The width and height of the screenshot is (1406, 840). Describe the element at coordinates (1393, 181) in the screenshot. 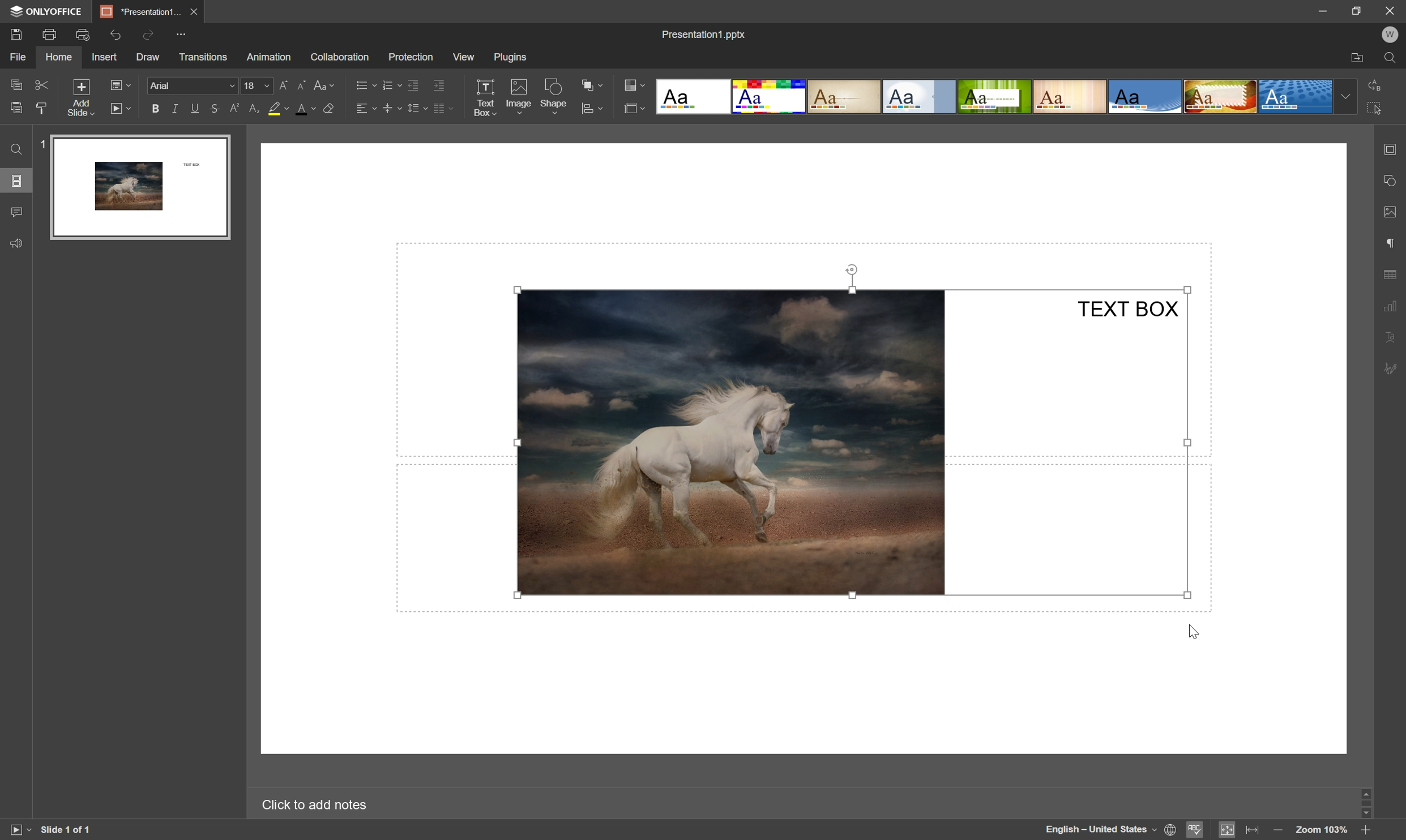

I see `shape settings` at that location.